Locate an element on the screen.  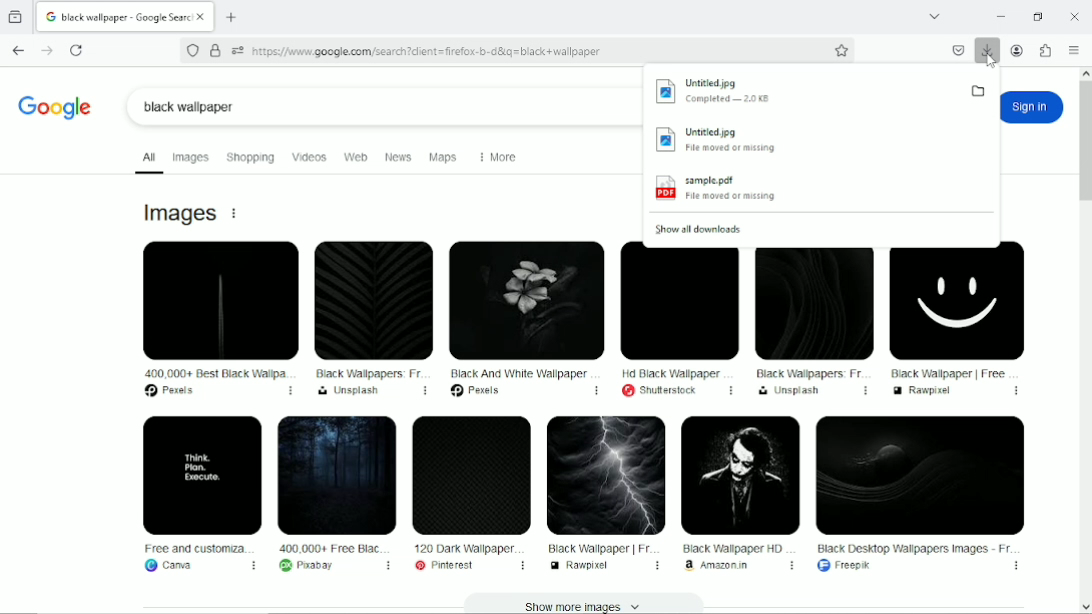
Go back is located at coordinates (18, 49).